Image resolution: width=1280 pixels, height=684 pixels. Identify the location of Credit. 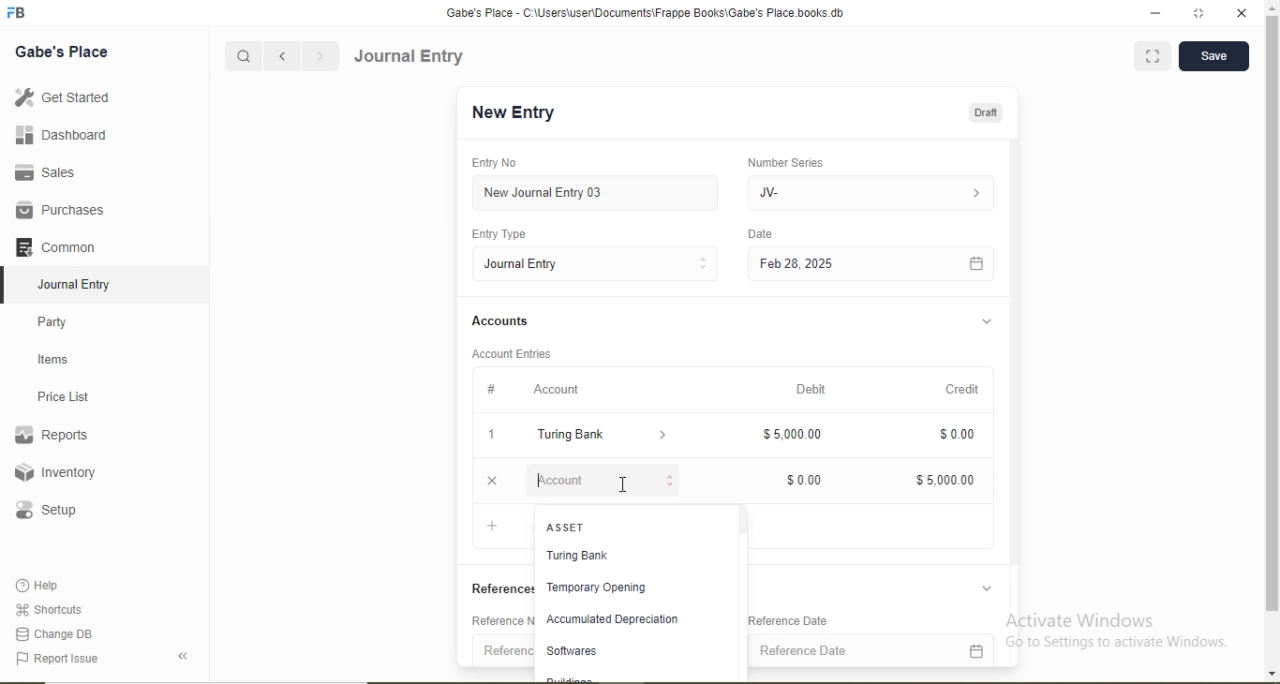
(964, 388).